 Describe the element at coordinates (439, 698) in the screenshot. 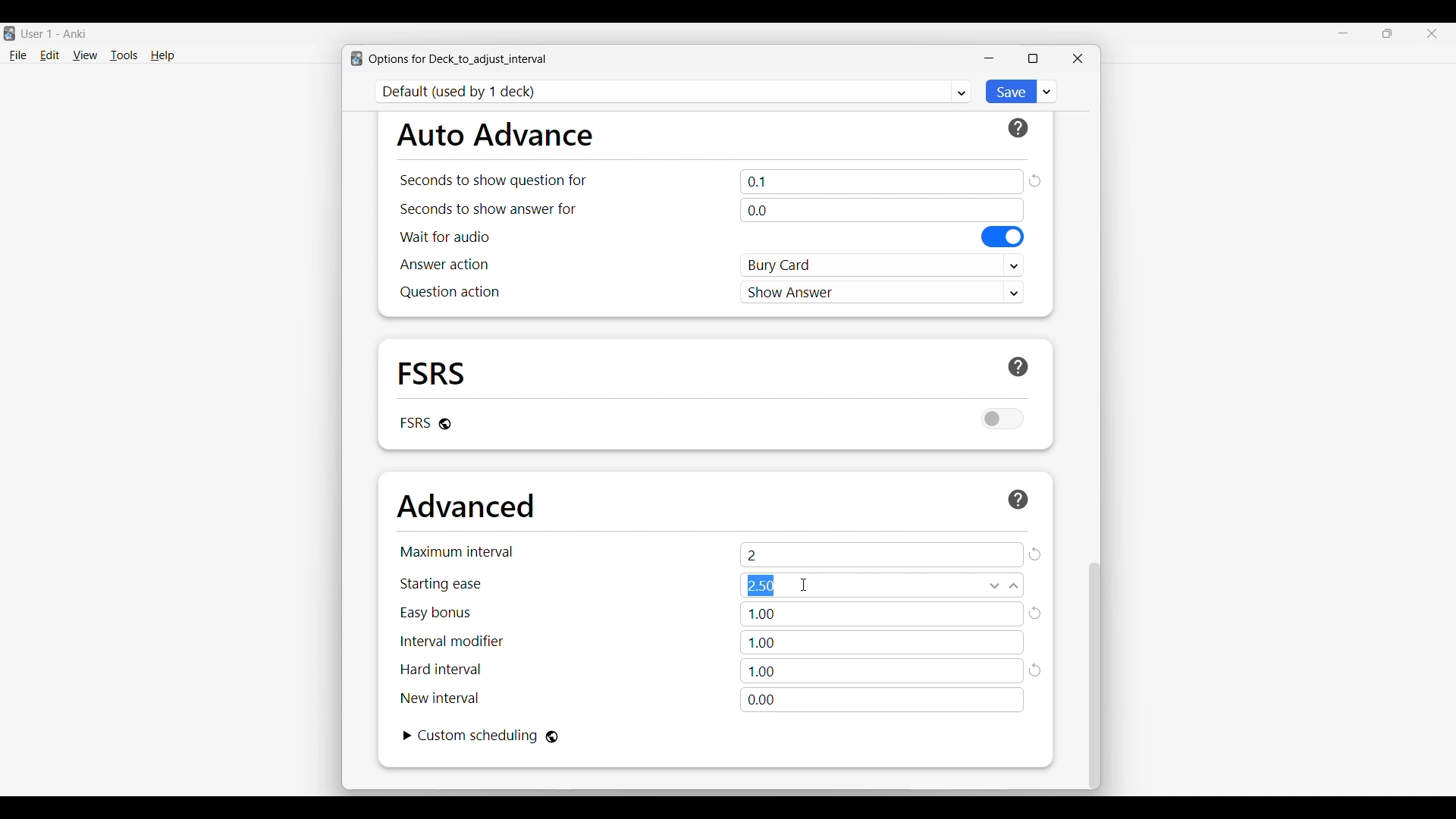

I see `Indicates new interval` at that location.